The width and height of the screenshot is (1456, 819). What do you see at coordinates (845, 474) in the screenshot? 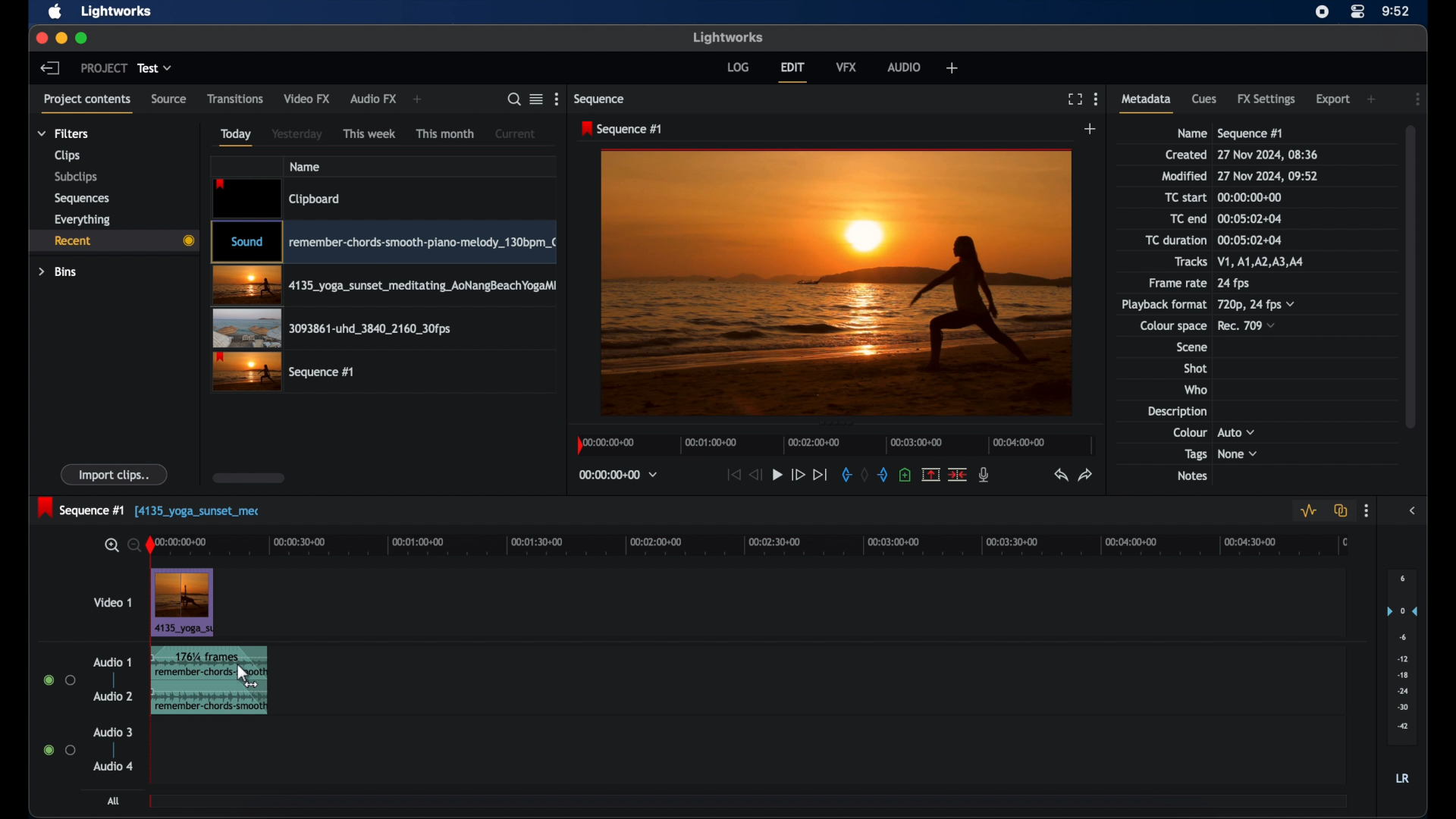
I see `in mark` at bounding box center [845, 474].